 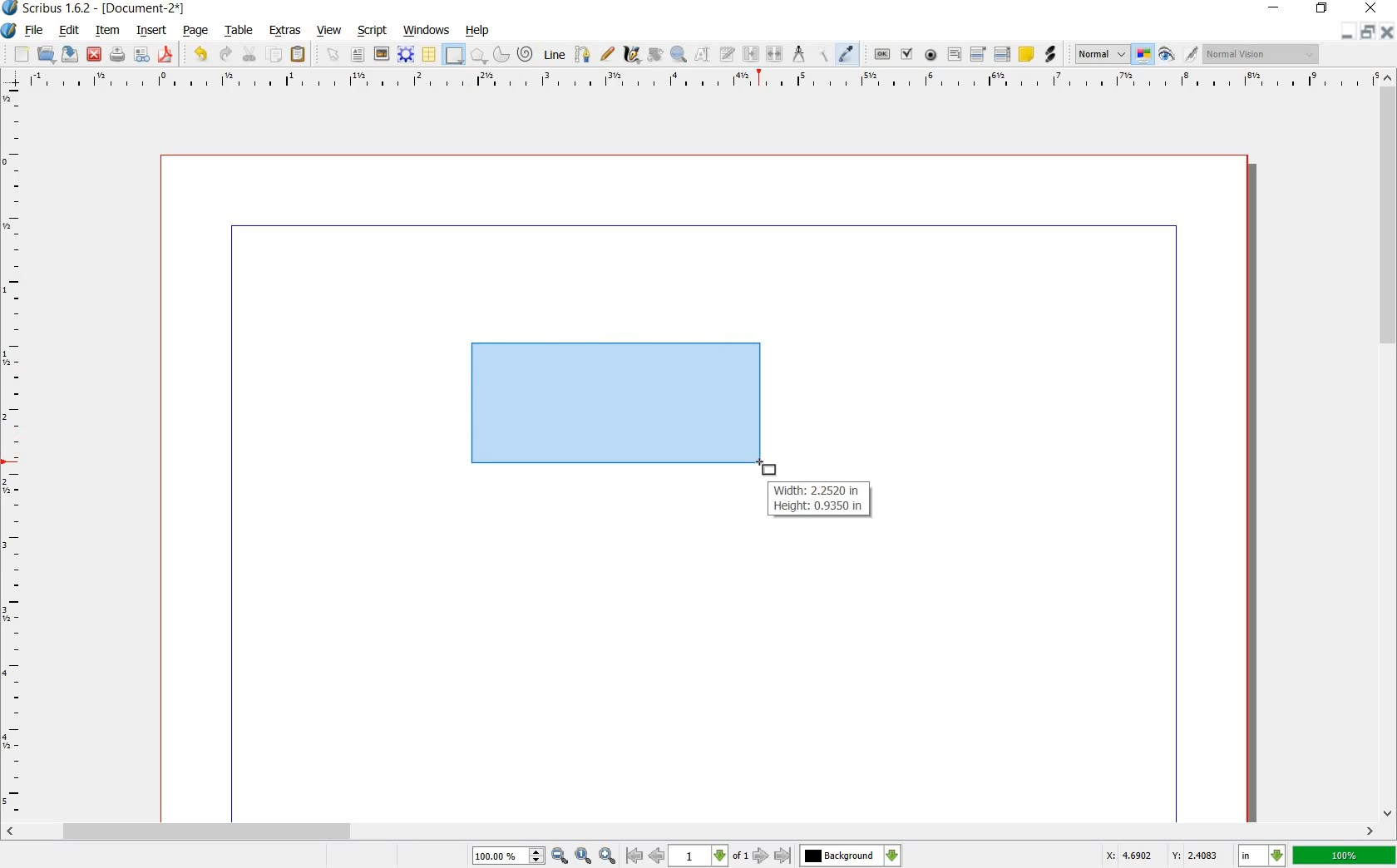 I want to click on OPEN, so click(x=47, y=55).